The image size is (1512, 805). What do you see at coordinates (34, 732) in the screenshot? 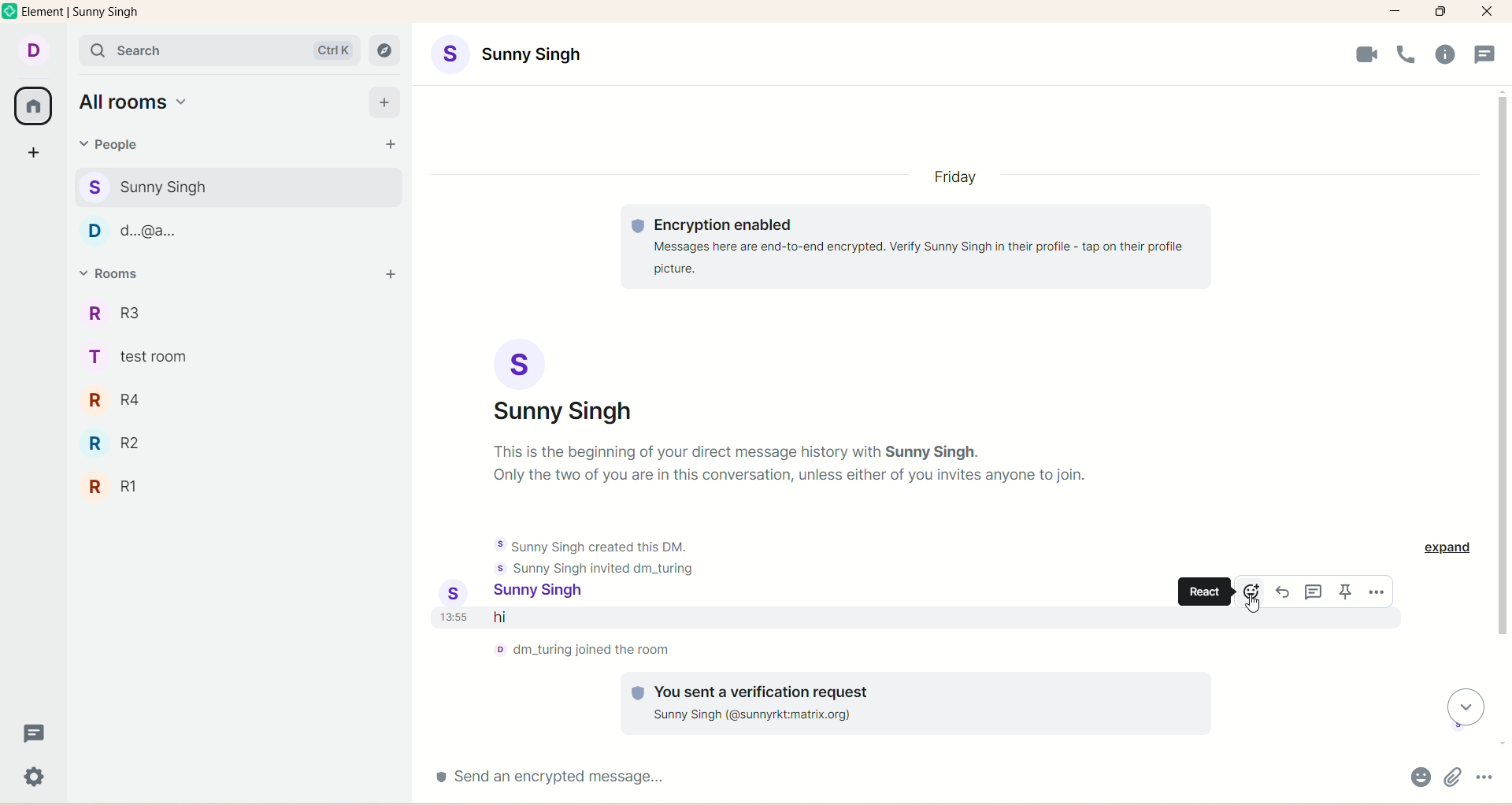
I see `threads` at bounding box center [34, 732].